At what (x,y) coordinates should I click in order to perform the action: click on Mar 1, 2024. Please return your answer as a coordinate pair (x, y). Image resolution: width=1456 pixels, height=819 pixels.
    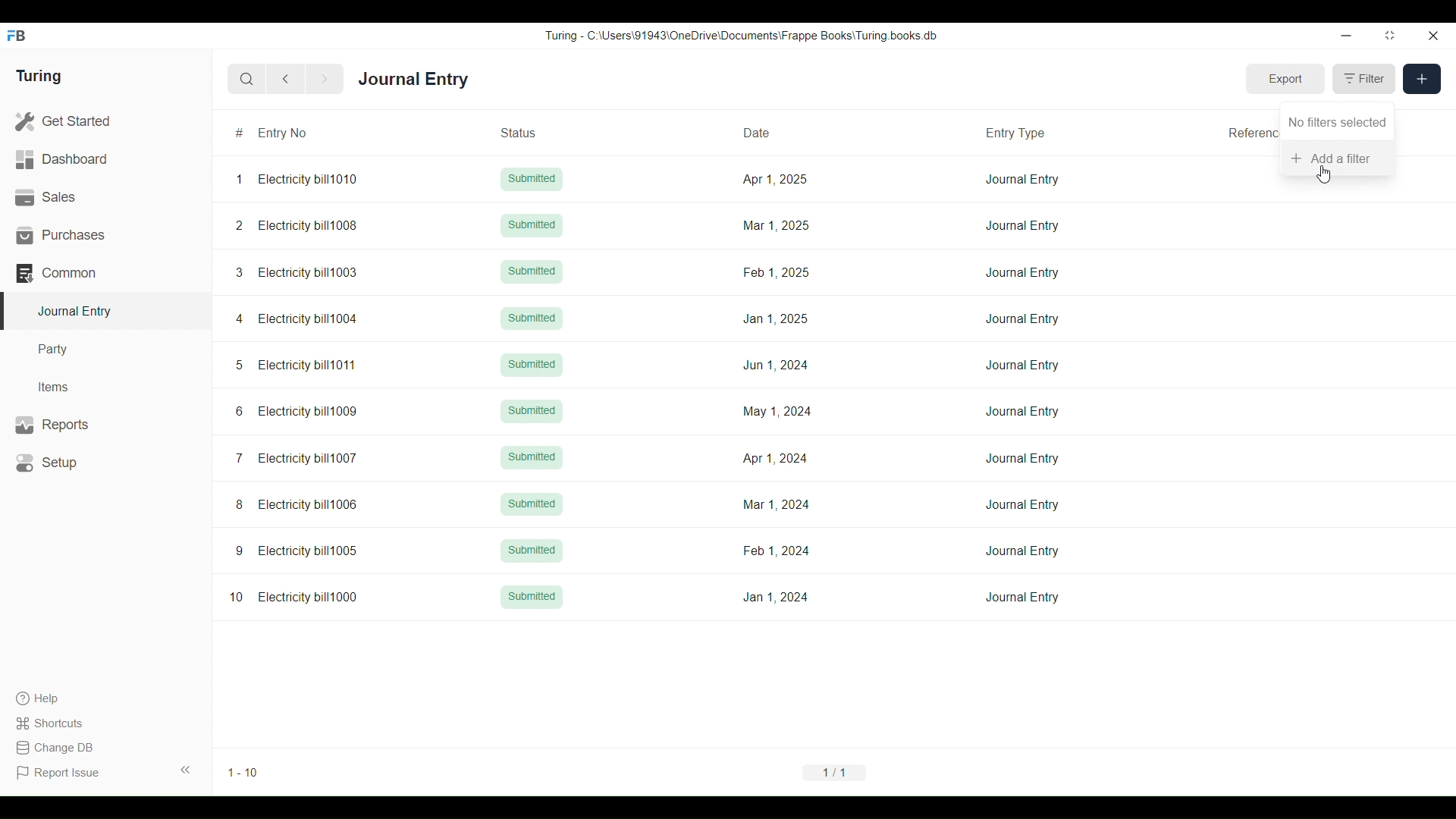
    Looking at the image, I should click on (777, 504).